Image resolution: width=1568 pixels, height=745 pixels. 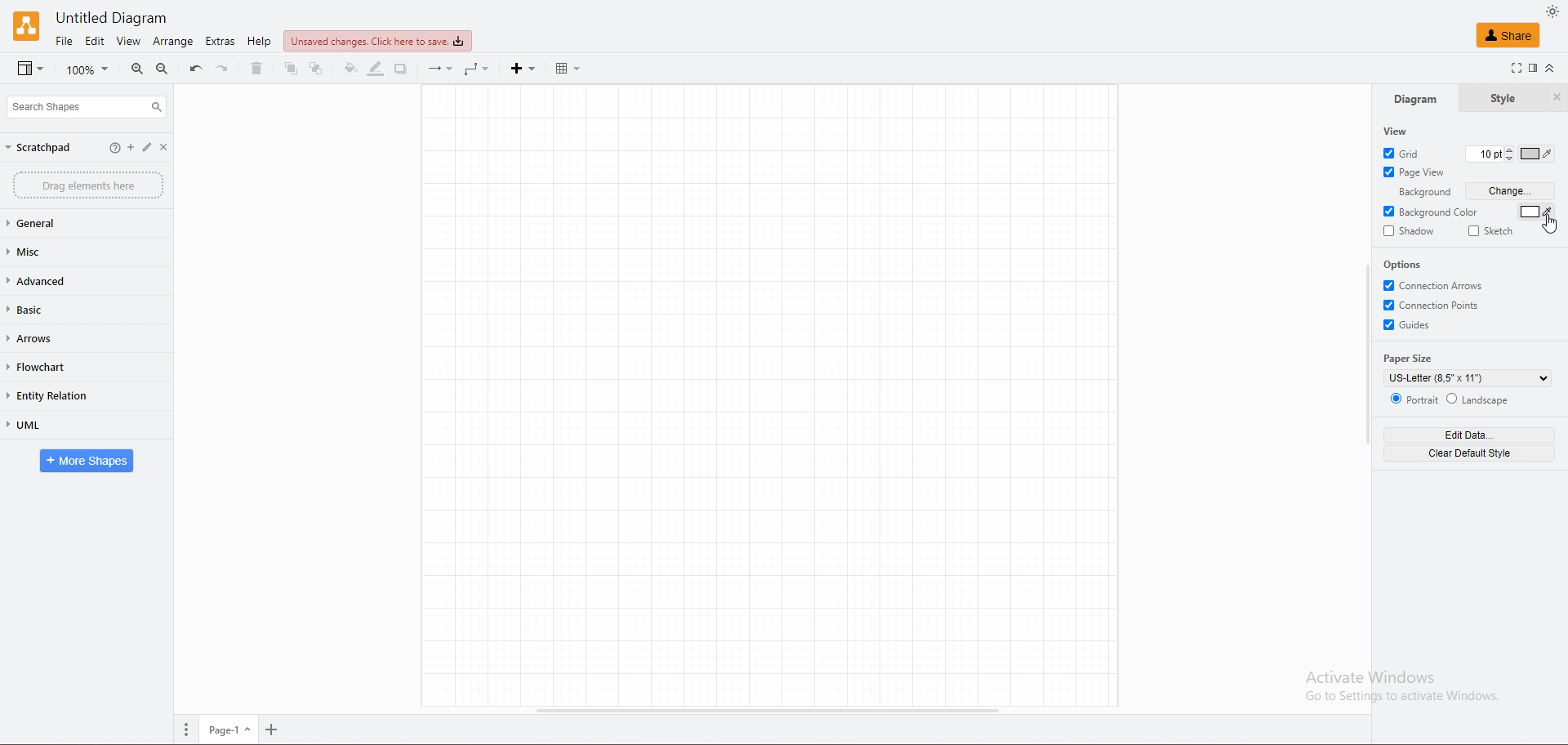 What do you see at coordinates (1472, 453) in the screenshot?
I see `clear default style` at bounding box center [1472, 453].